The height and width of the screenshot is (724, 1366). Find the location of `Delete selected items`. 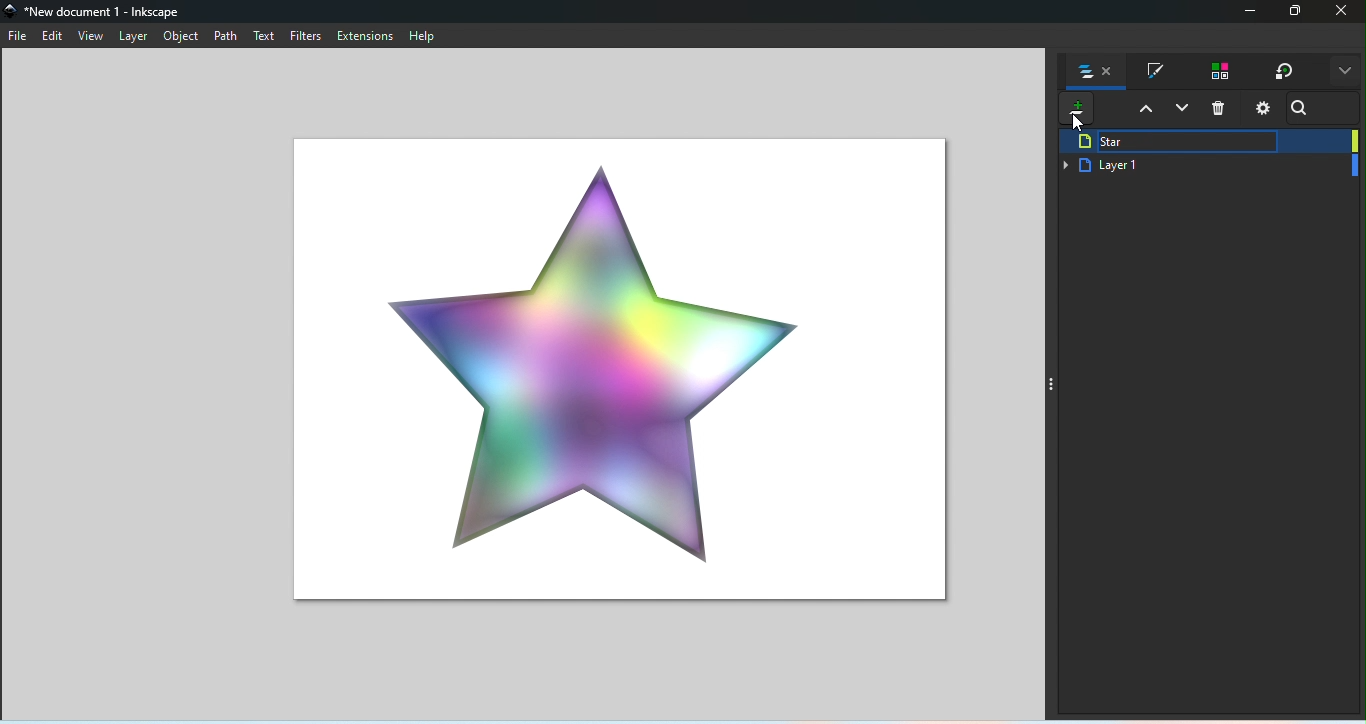

Delete selected items is located at coordinates (1222, 109).